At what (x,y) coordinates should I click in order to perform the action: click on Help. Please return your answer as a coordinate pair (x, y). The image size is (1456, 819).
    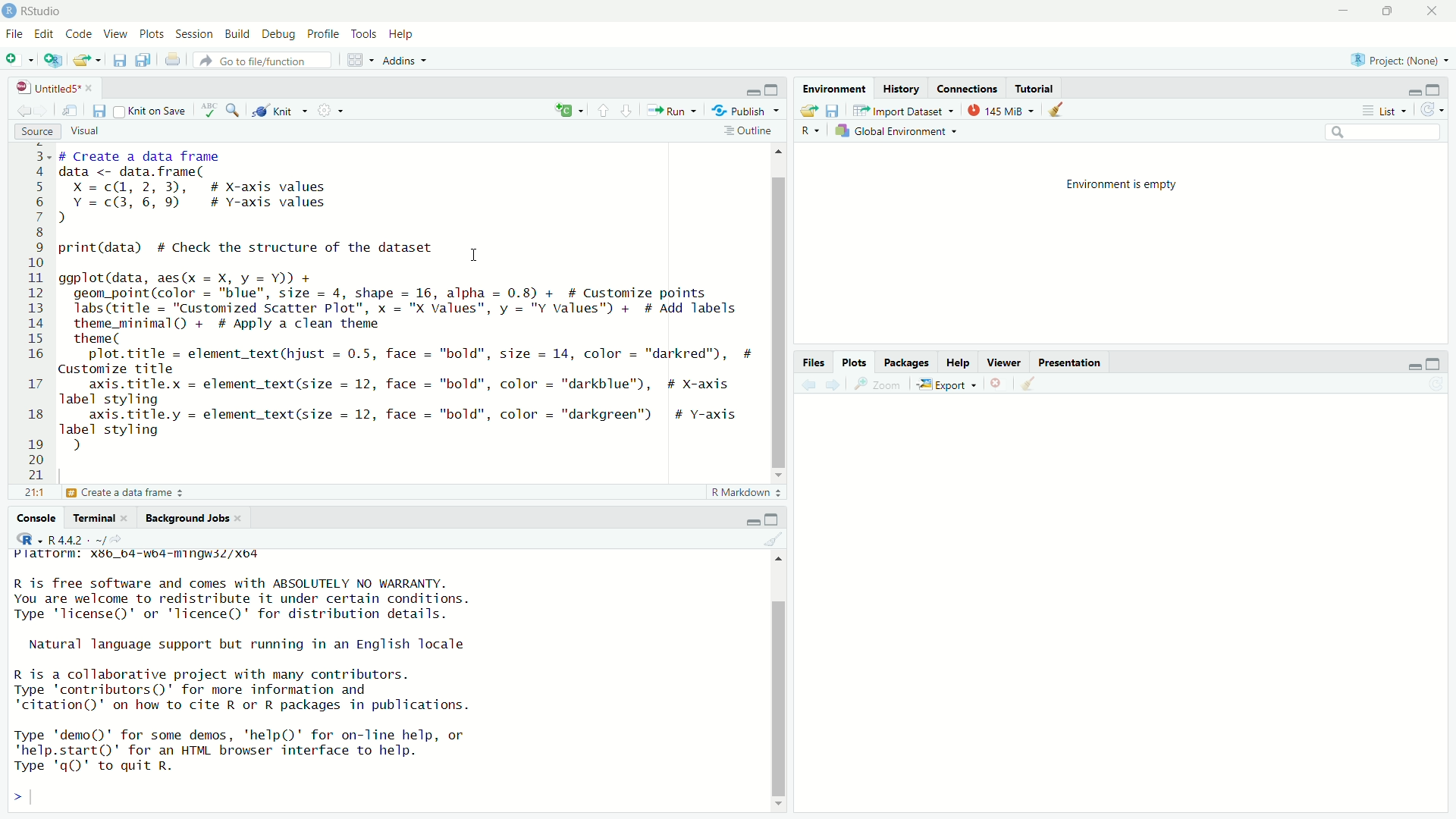
    Looking at the image, I should click on (400, 33).